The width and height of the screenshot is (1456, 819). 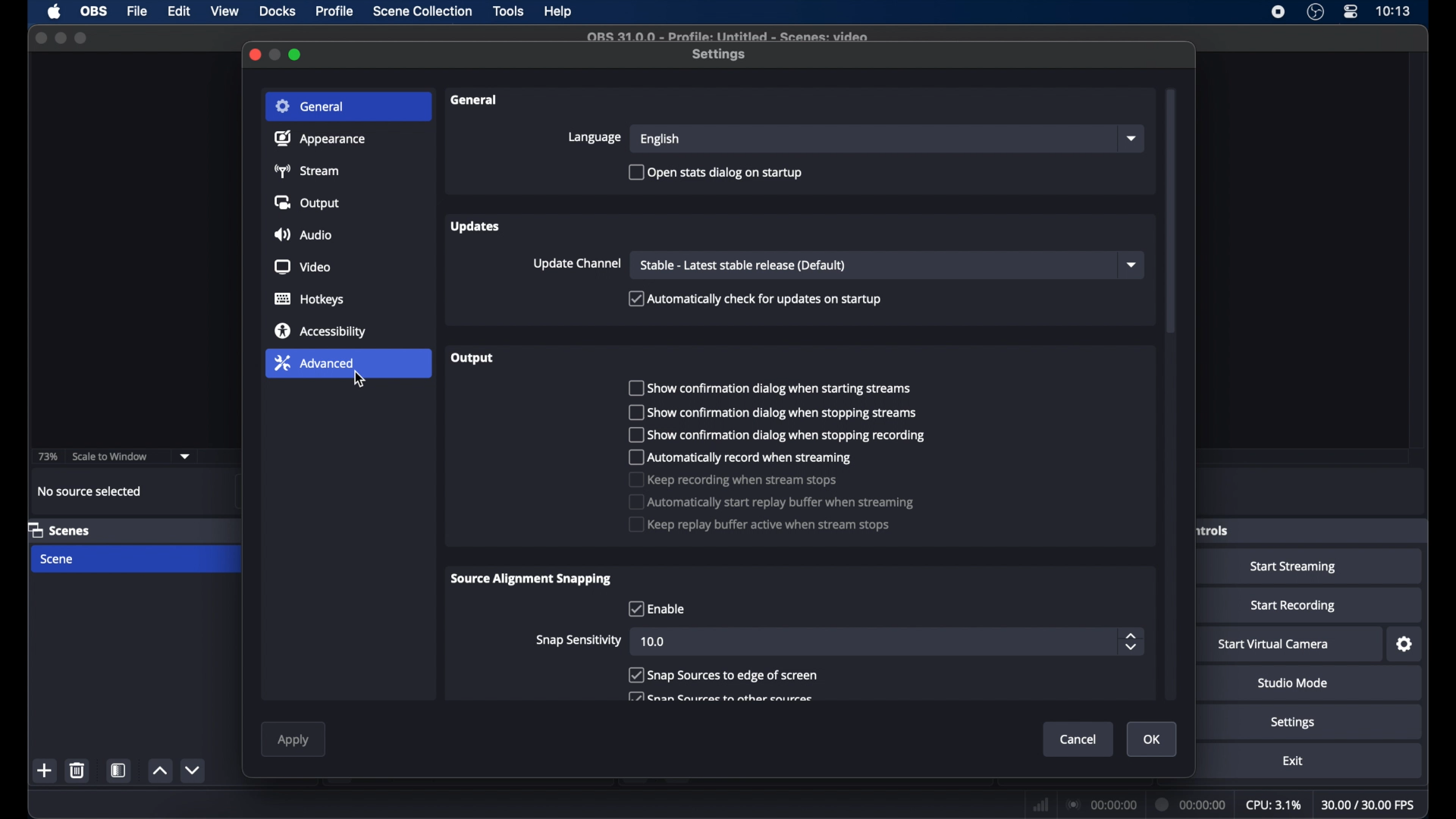 What do you see at coordinates (336, 11) in the screenshot?
I see `profile` at bounding box center [336, 11].